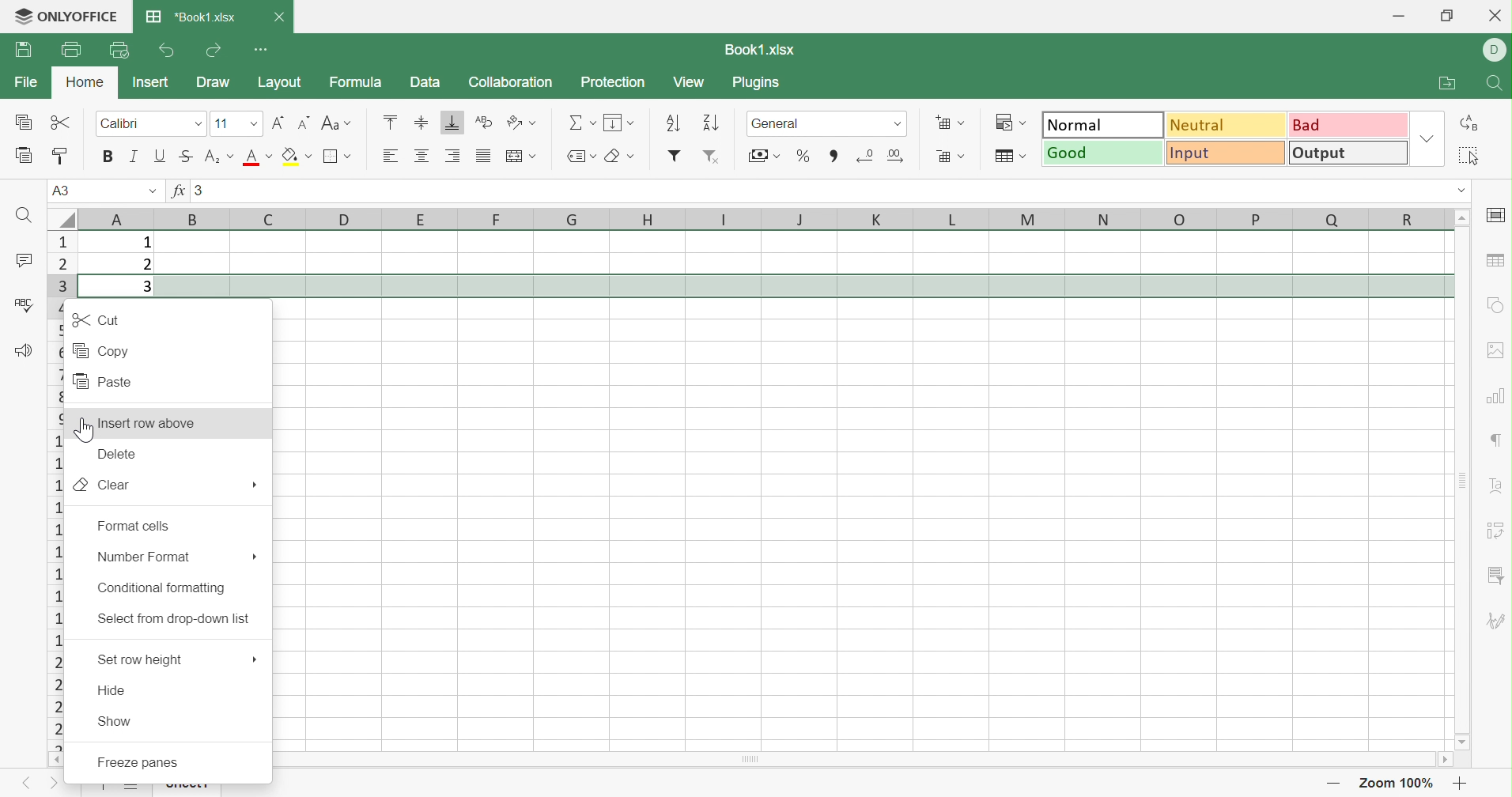  I want to click on Fill, so click(614, 120).